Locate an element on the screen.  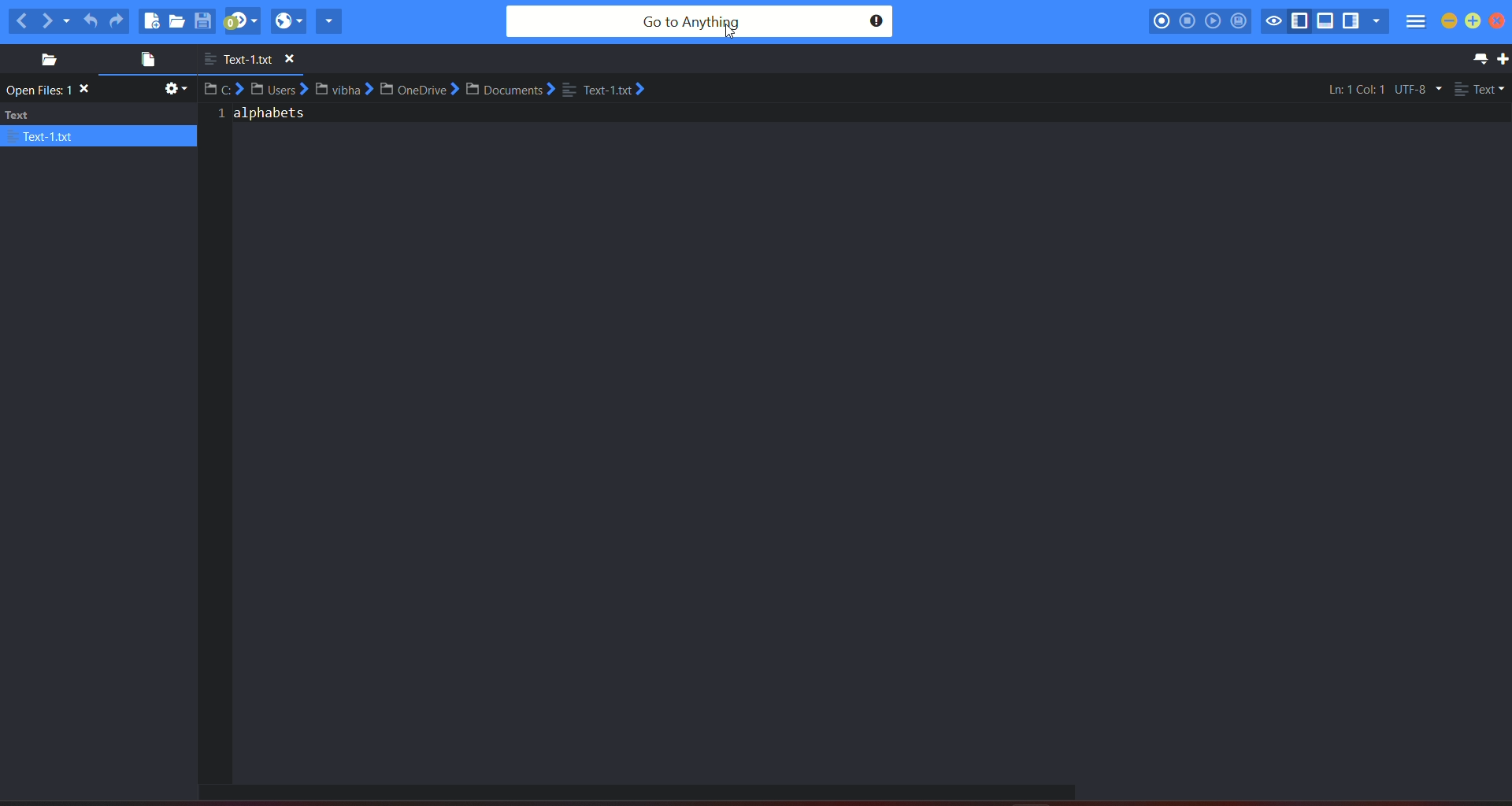
search bar is located at coordinates (699, 22).